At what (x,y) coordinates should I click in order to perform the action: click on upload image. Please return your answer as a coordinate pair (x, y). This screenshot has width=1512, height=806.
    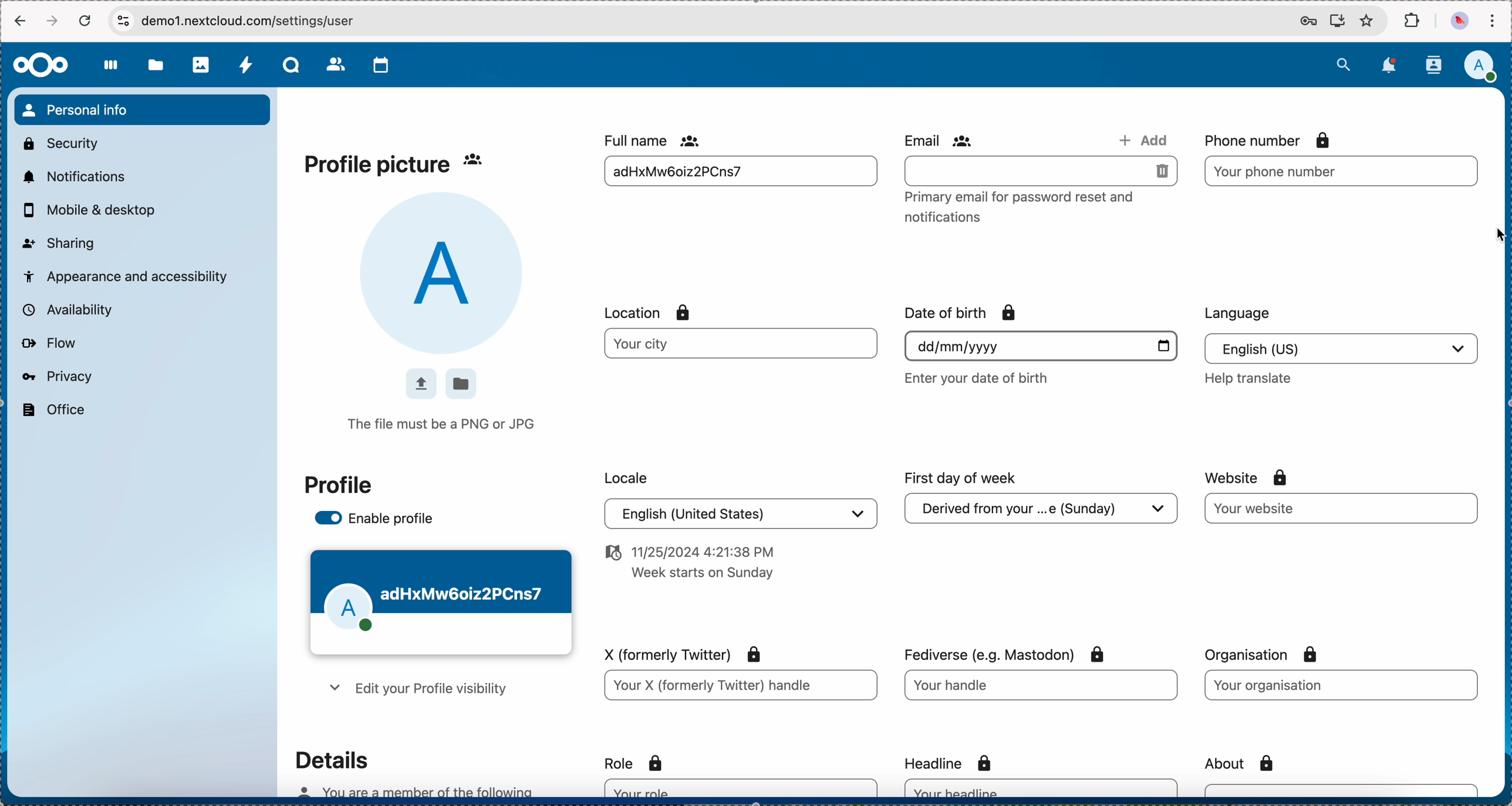
    Looking at the image, I should click on (420, 382).